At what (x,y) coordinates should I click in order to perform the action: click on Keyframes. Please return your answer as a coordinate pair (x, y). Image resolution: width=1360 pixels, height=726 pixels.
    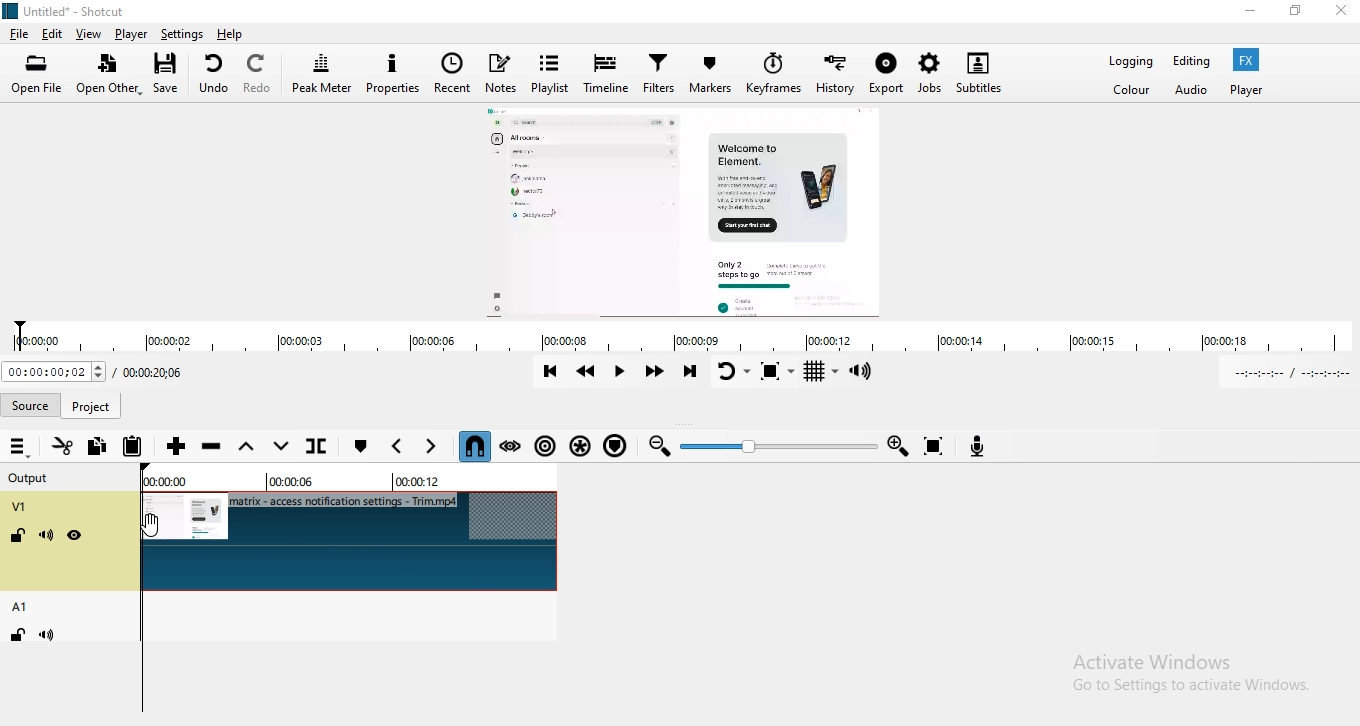
    Looking at the image, I should click on (775, 73).